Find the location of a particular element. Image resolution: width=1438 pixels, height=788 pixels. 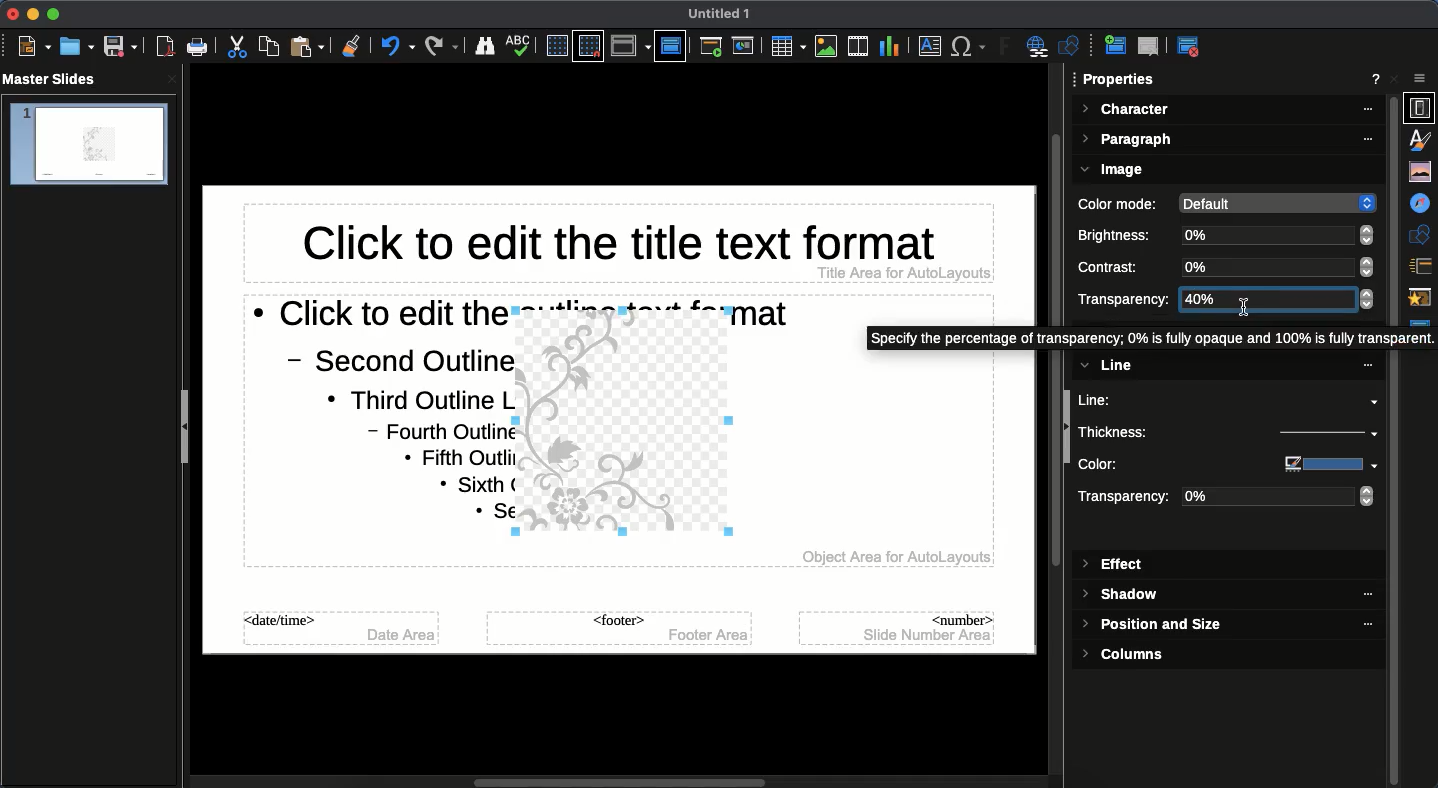

Color mode is located at coordinates (1121, 204).